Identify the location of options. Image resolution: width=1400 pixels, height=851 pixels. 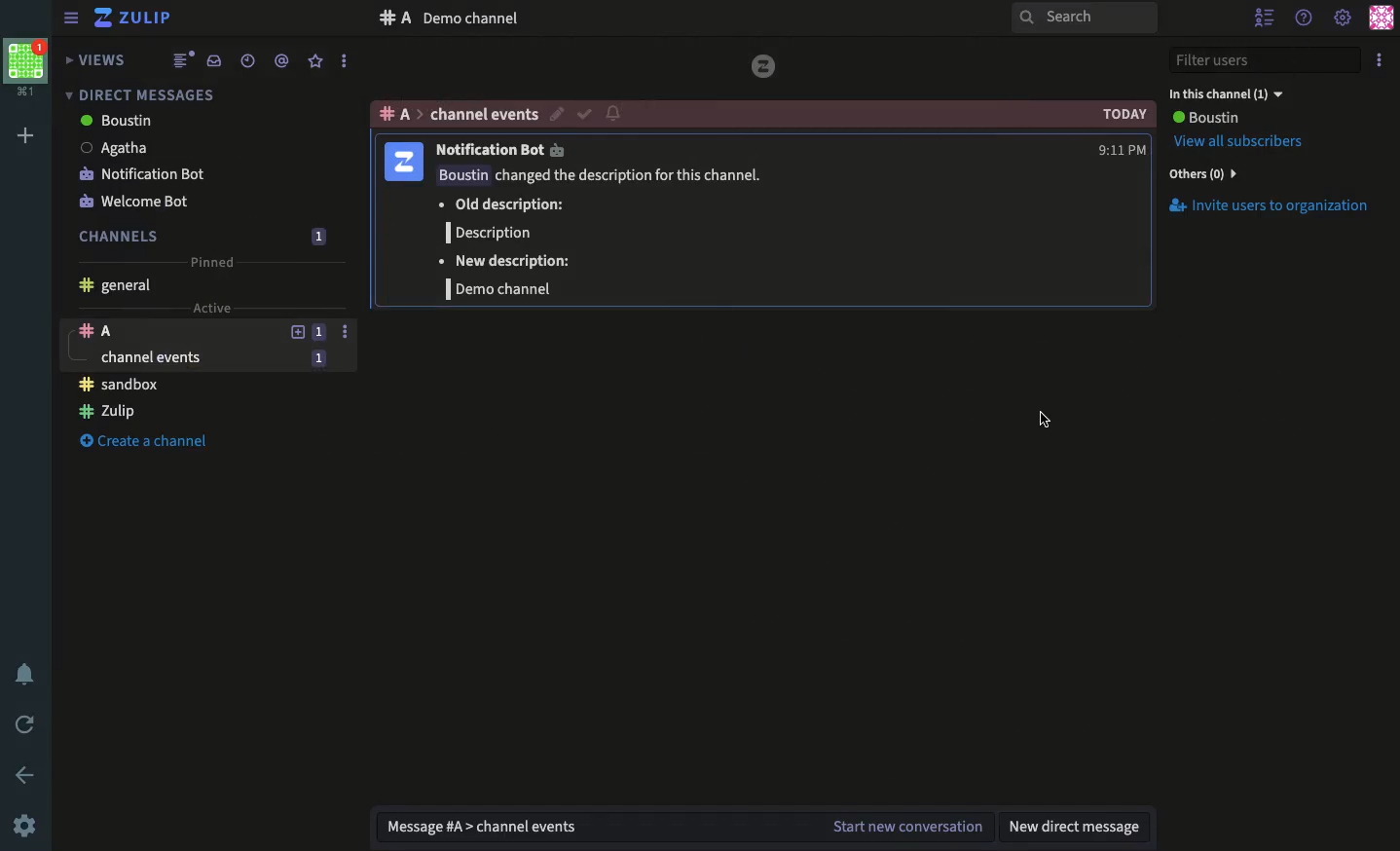
(344, 60).